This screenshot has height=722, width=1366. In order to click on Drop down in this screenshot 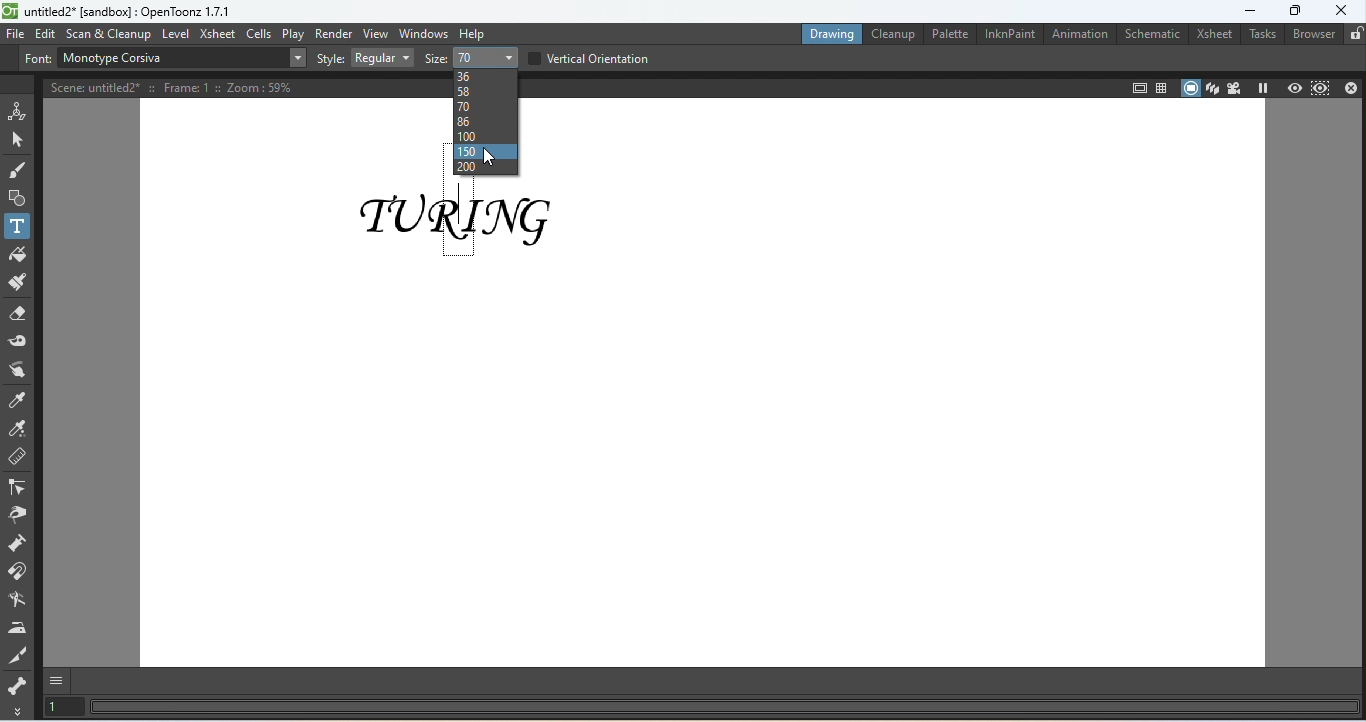, I will do `click(381, 58)`.